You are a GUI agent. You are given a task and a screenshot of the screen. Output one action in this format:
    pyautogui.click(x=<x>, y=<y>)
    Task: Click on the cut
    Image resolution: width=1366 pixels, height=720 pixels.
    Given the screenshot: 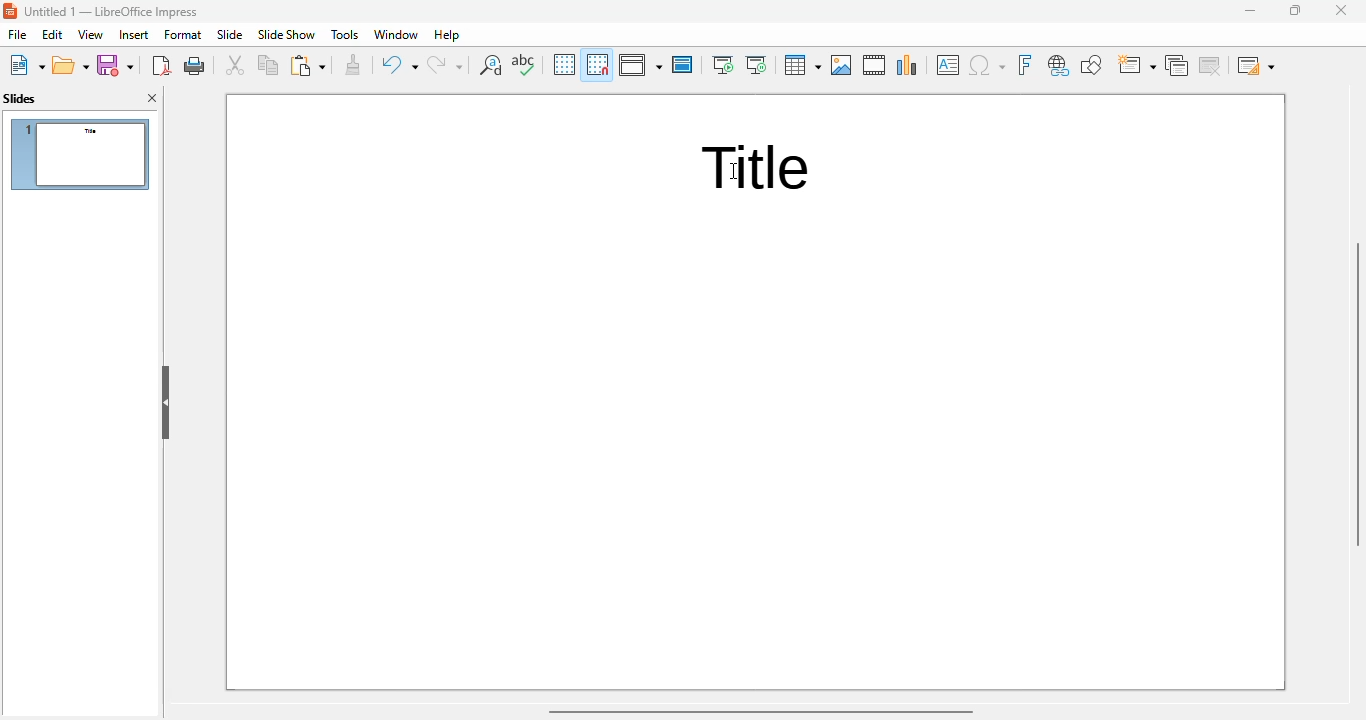 What is the action you would take?
    pyautogui.click(x=235, y=65)
    